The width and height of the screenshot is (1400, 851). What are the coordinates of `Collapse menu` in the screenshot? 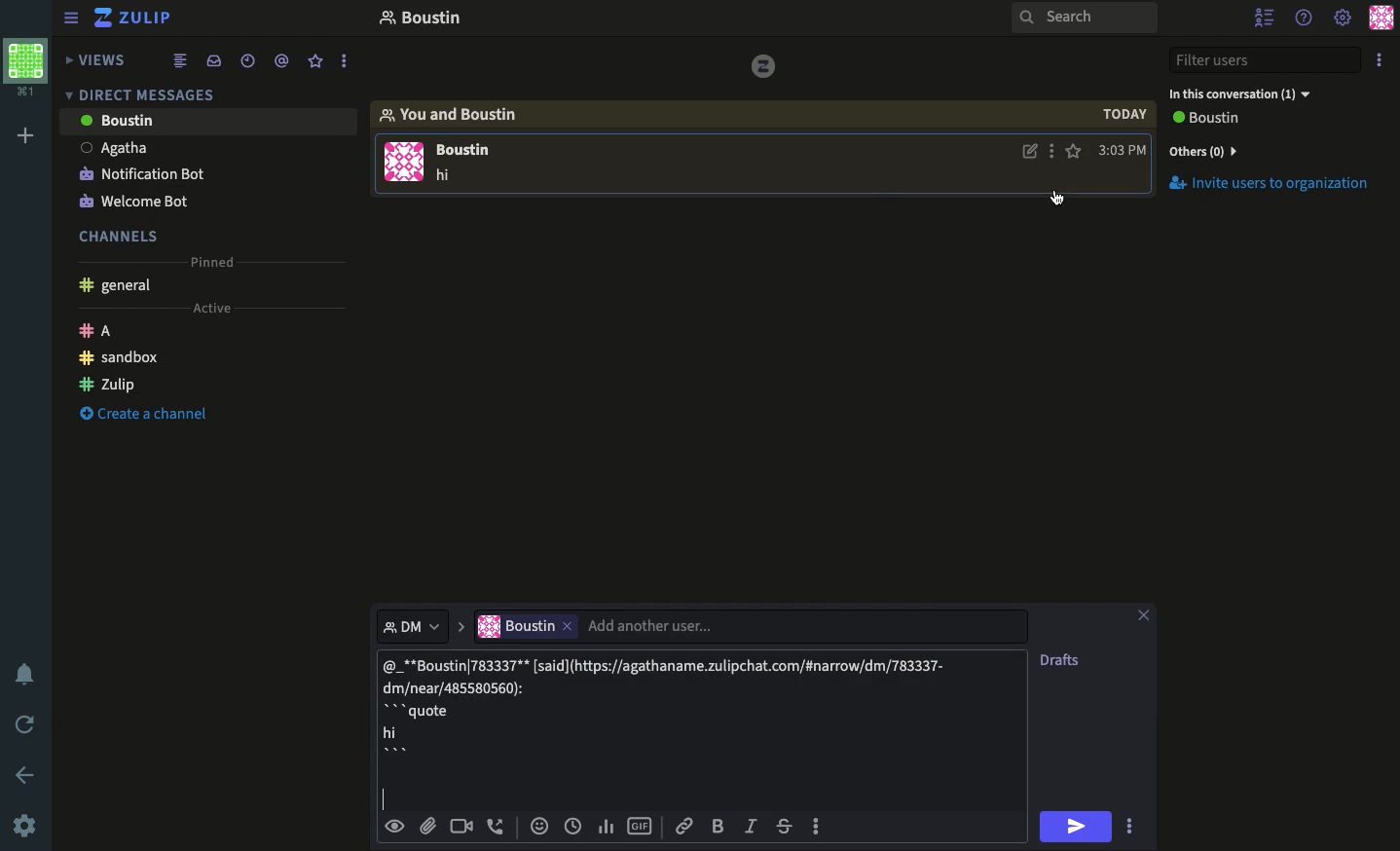 It's located at (73, 19).